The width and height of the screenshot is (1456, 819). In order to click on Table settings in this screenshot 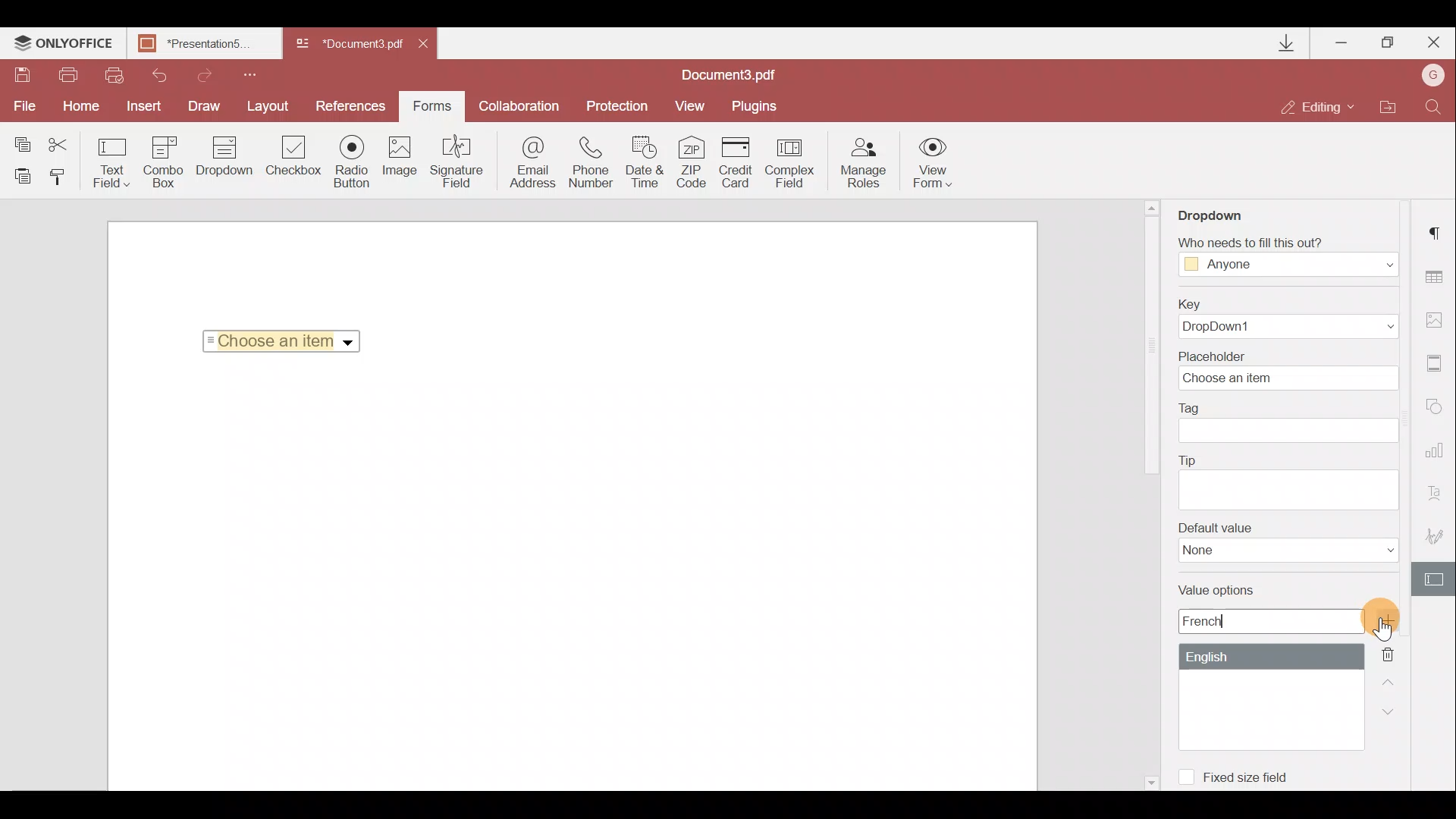, I will do `click(1436, 277)`.